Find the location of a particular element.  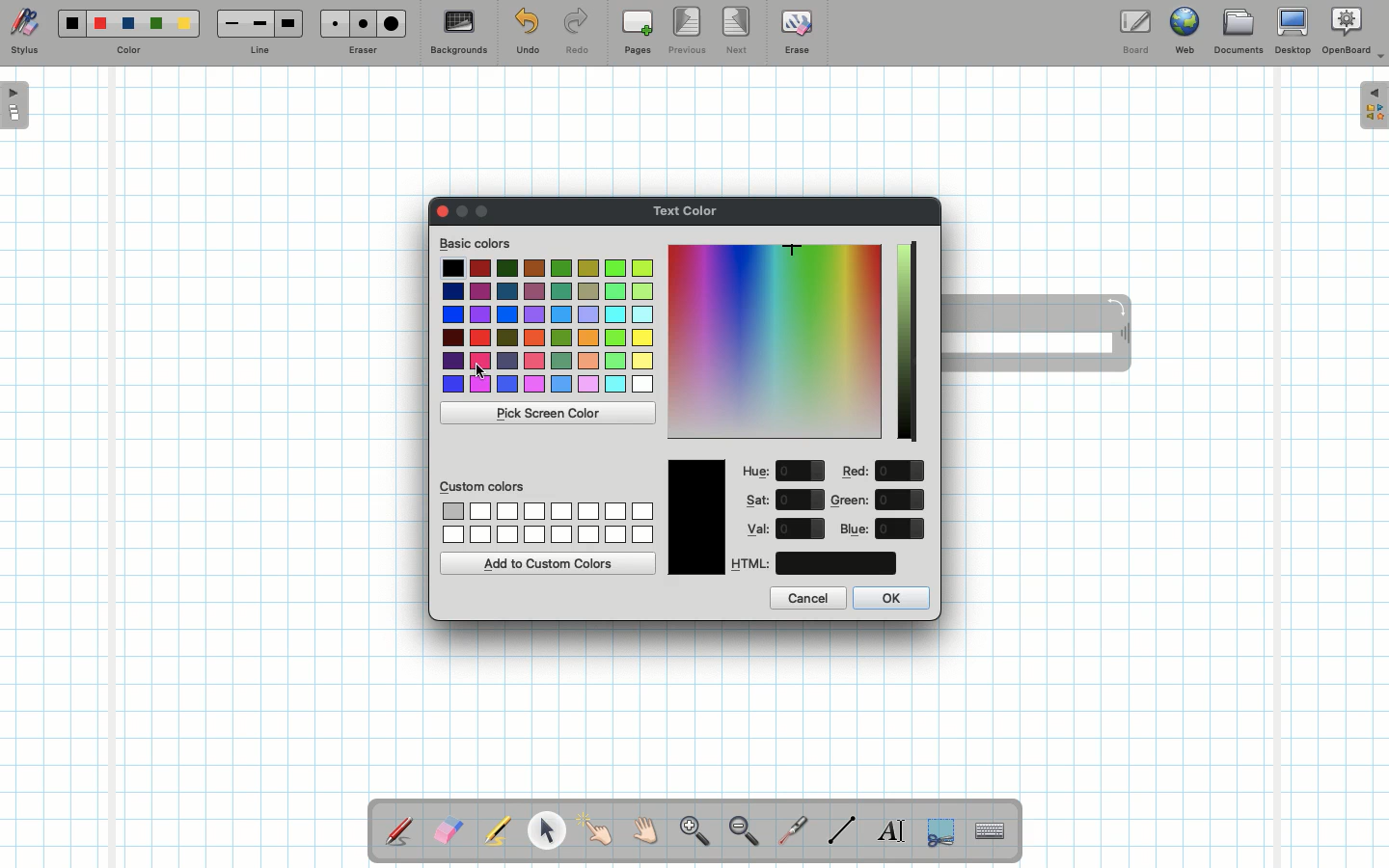

Red is located at coordinates (857, 472).